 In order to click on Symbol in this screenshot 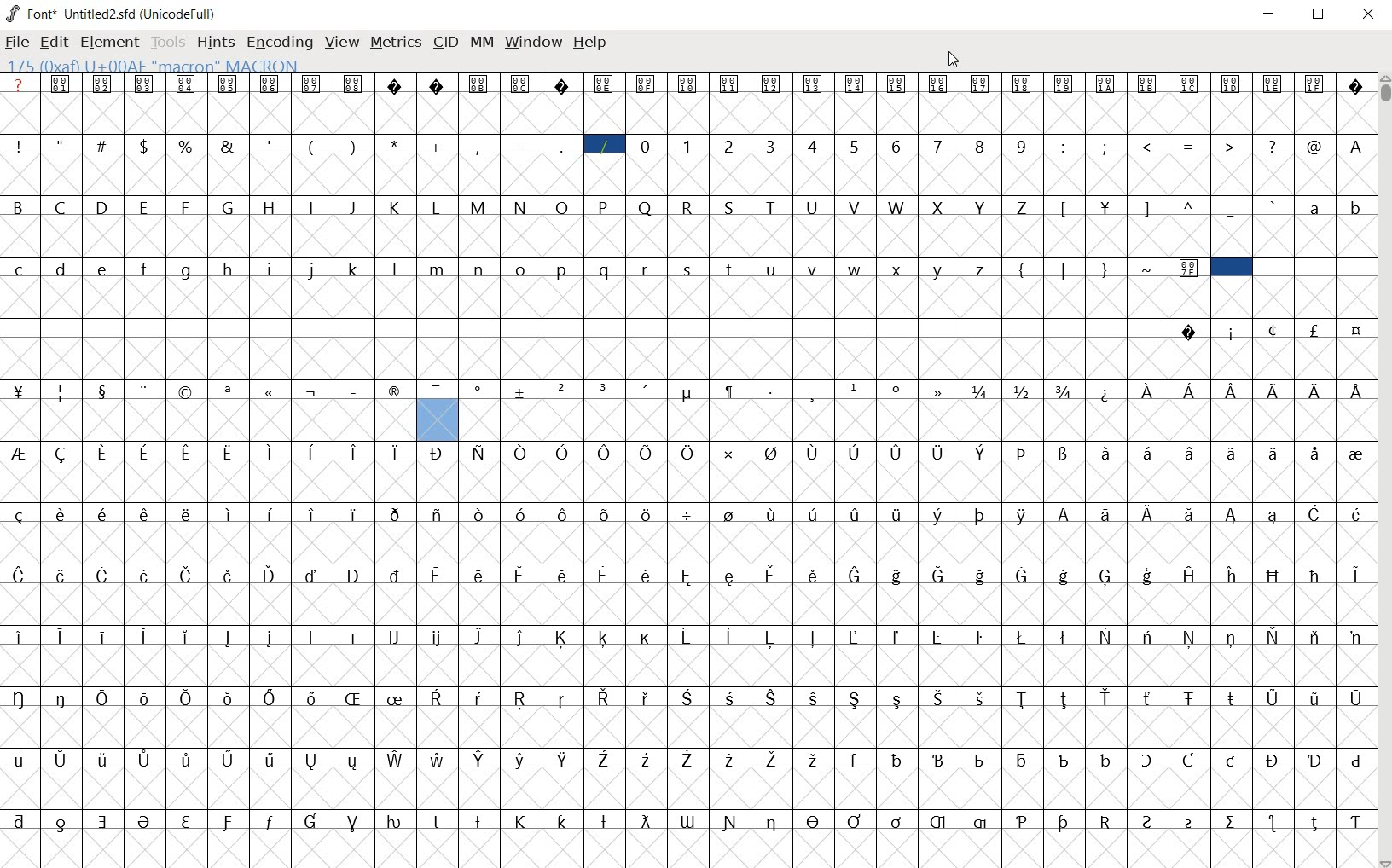, I will do `click(441, 697)`.